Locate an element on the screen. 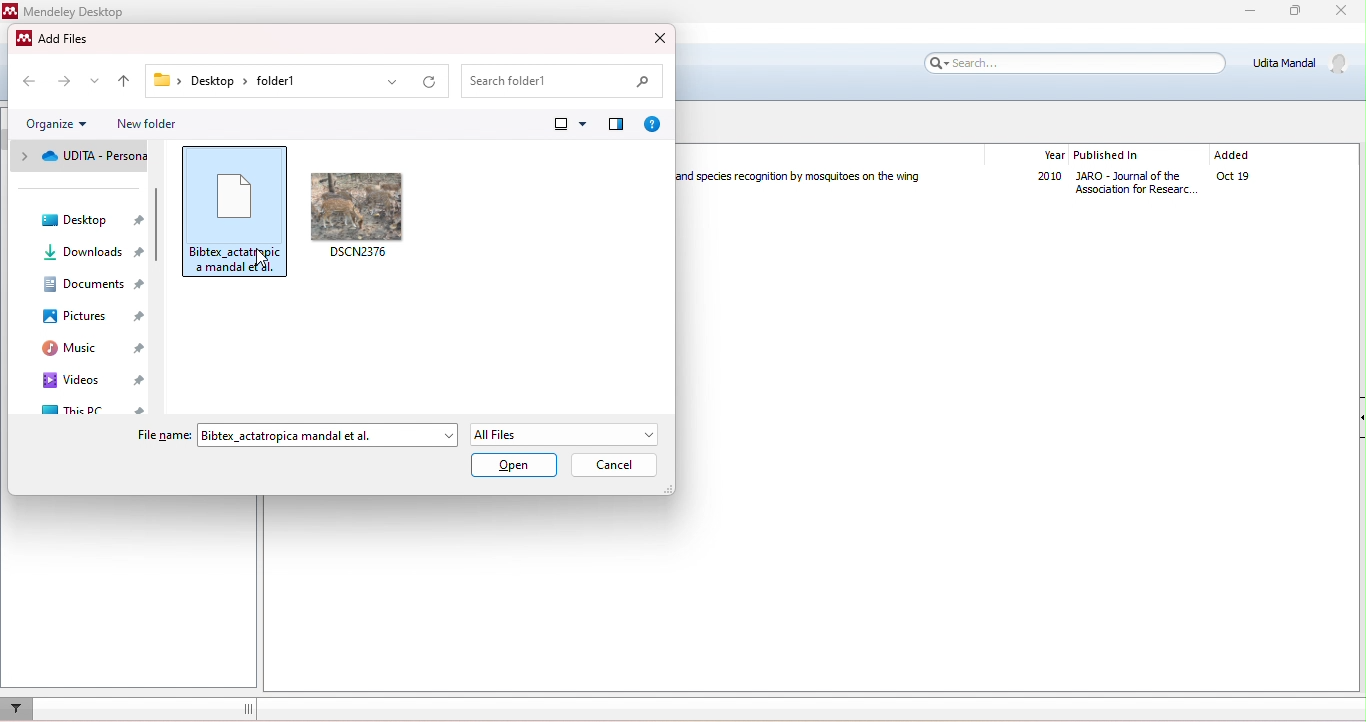 The height and width of the screenshot is (722, 1366). UDITA - personal is located at coordinates (82, 156).